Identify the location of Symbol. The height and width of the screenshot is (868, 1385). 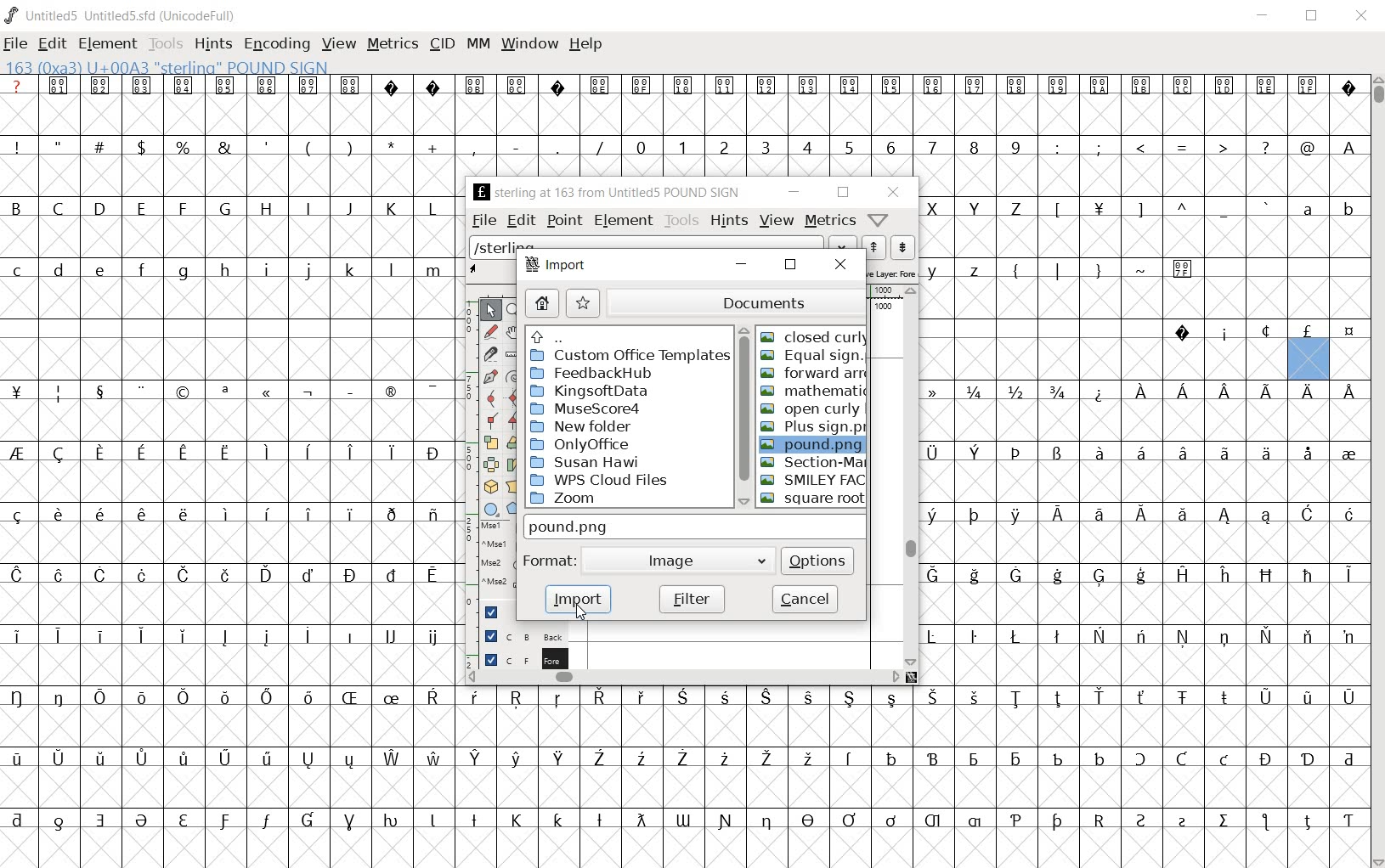
(59, 697).